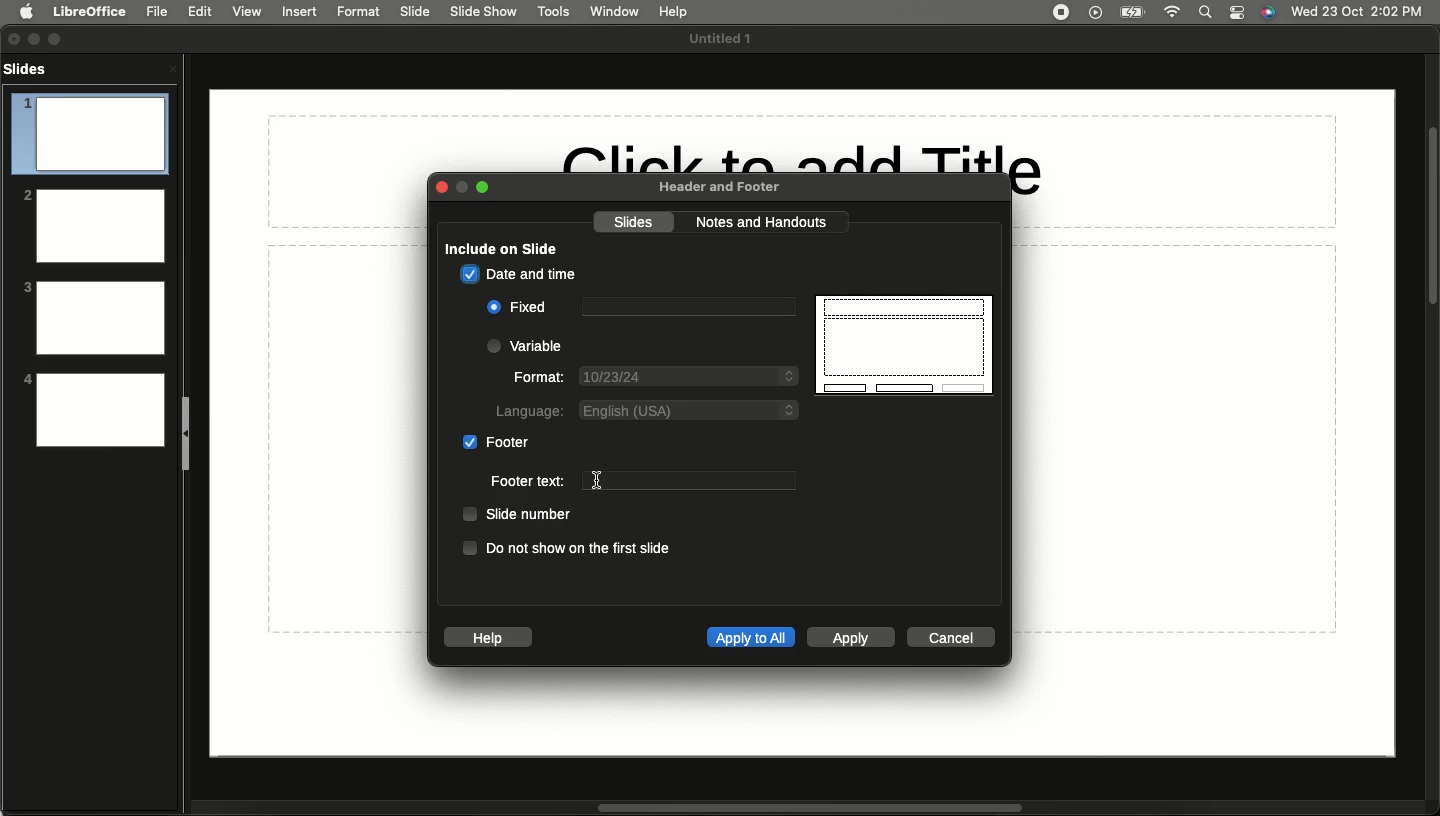 This screenshot has height=816, width=1440. What do you see at coordinates (716, 188) in the screenshot?
I see `Header and footer` at bounding box center [716, 188].